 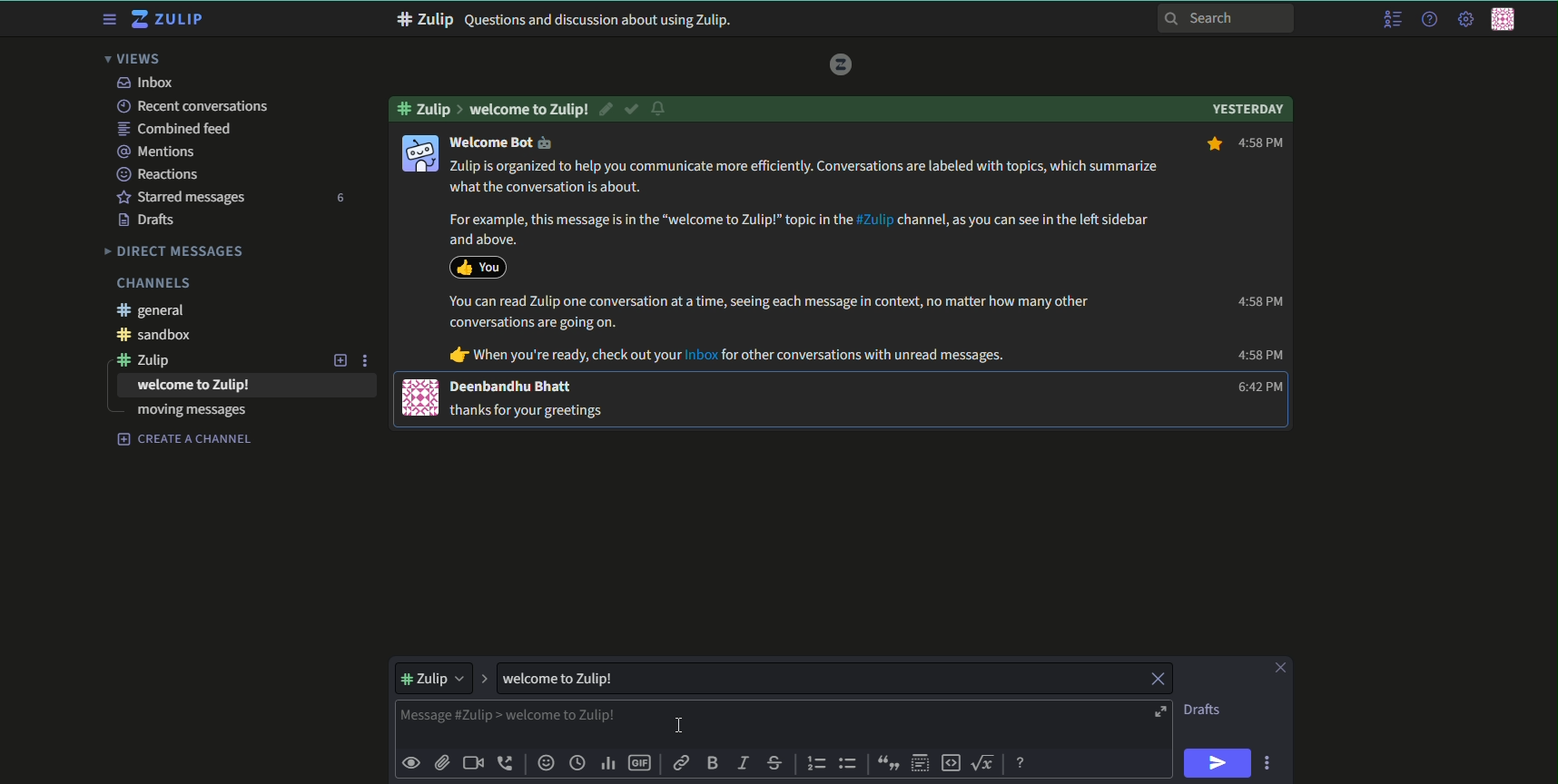 What do you see at coordinates (421, 152) in the screenshot?
I see `icon` at bounding box center [421, 152].